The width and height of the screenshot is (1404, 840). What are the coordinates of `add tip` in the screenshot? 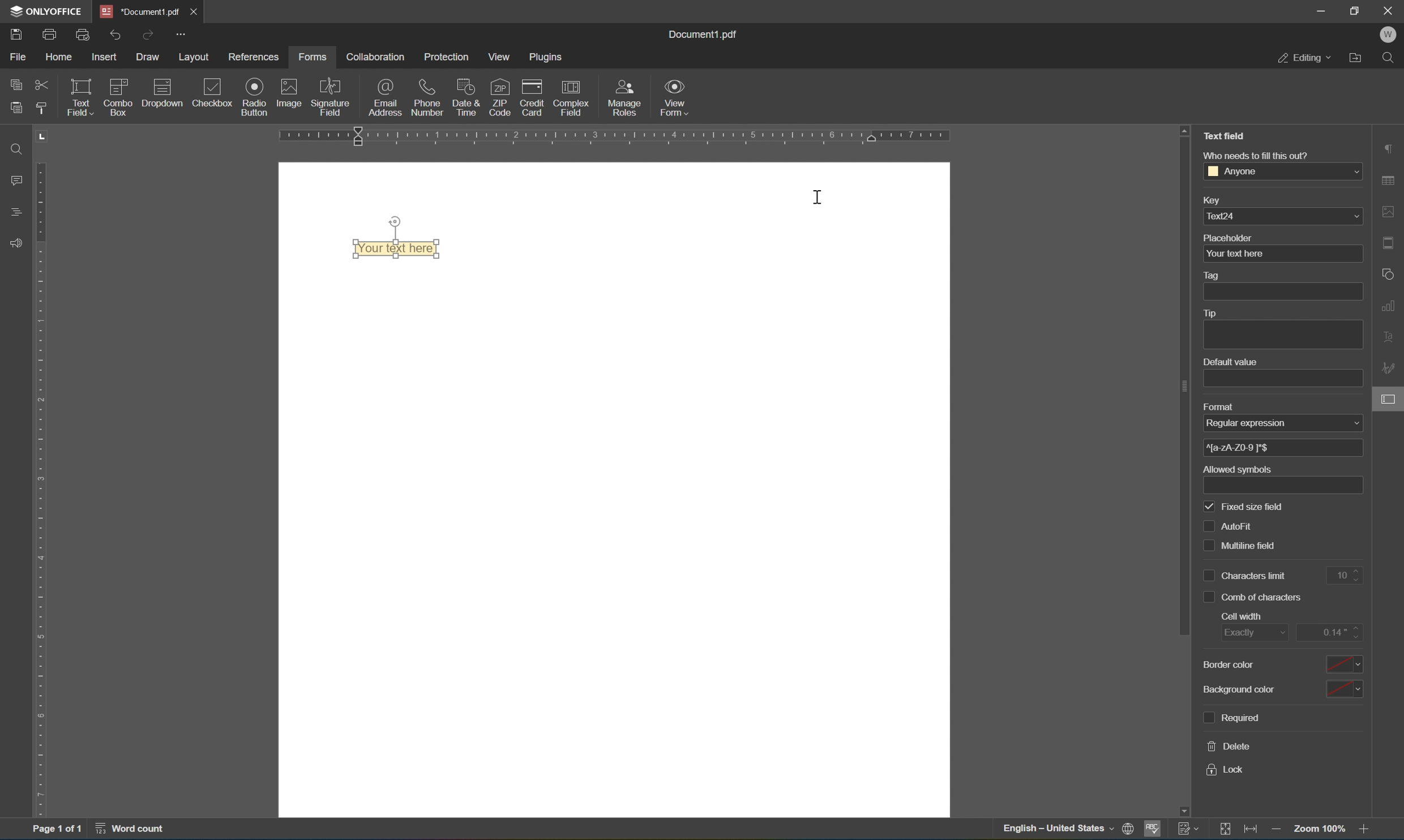 It's located at (1282, 336).